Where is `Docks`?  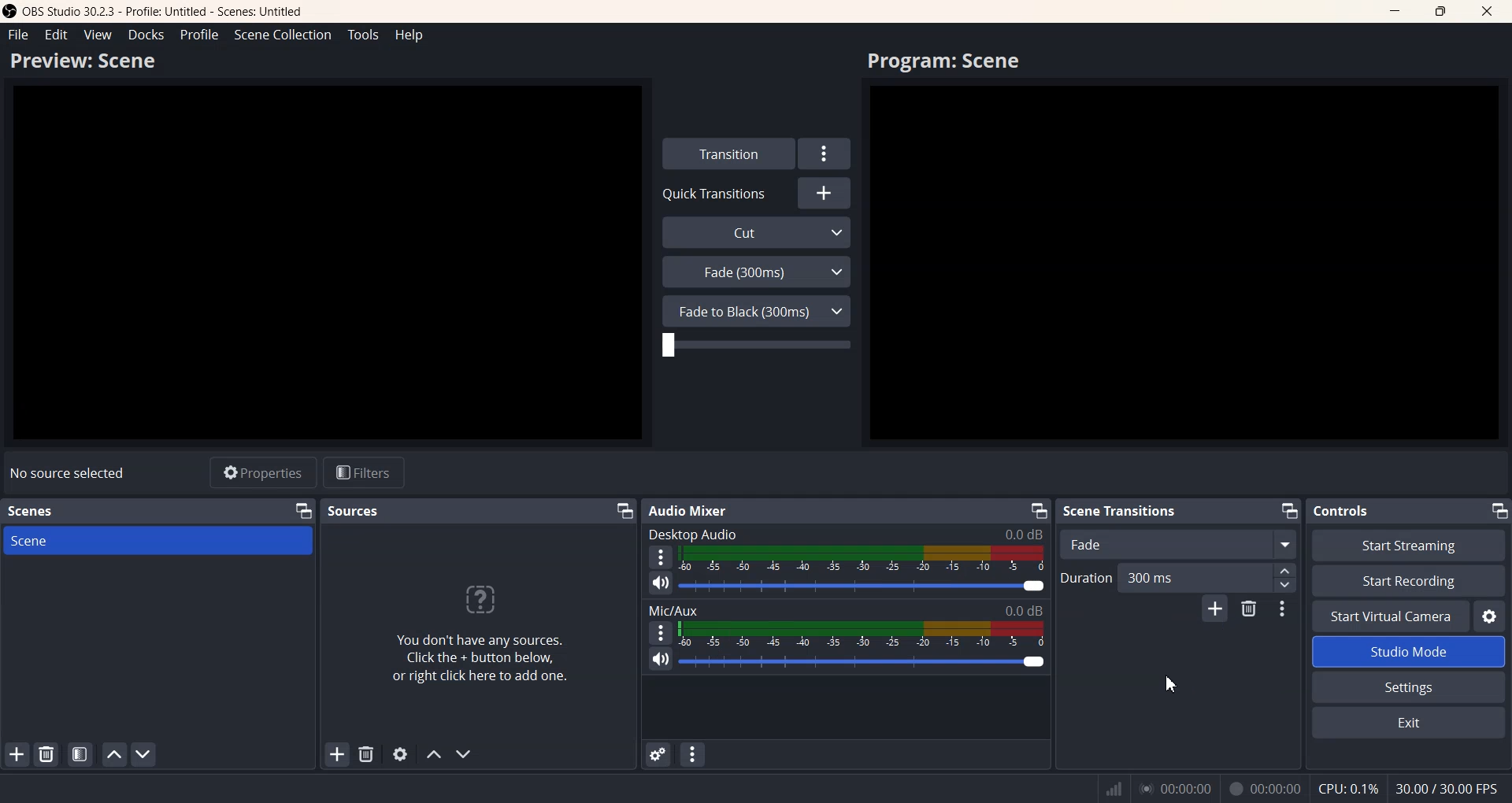
Docks is located at coordinates (148, 34).